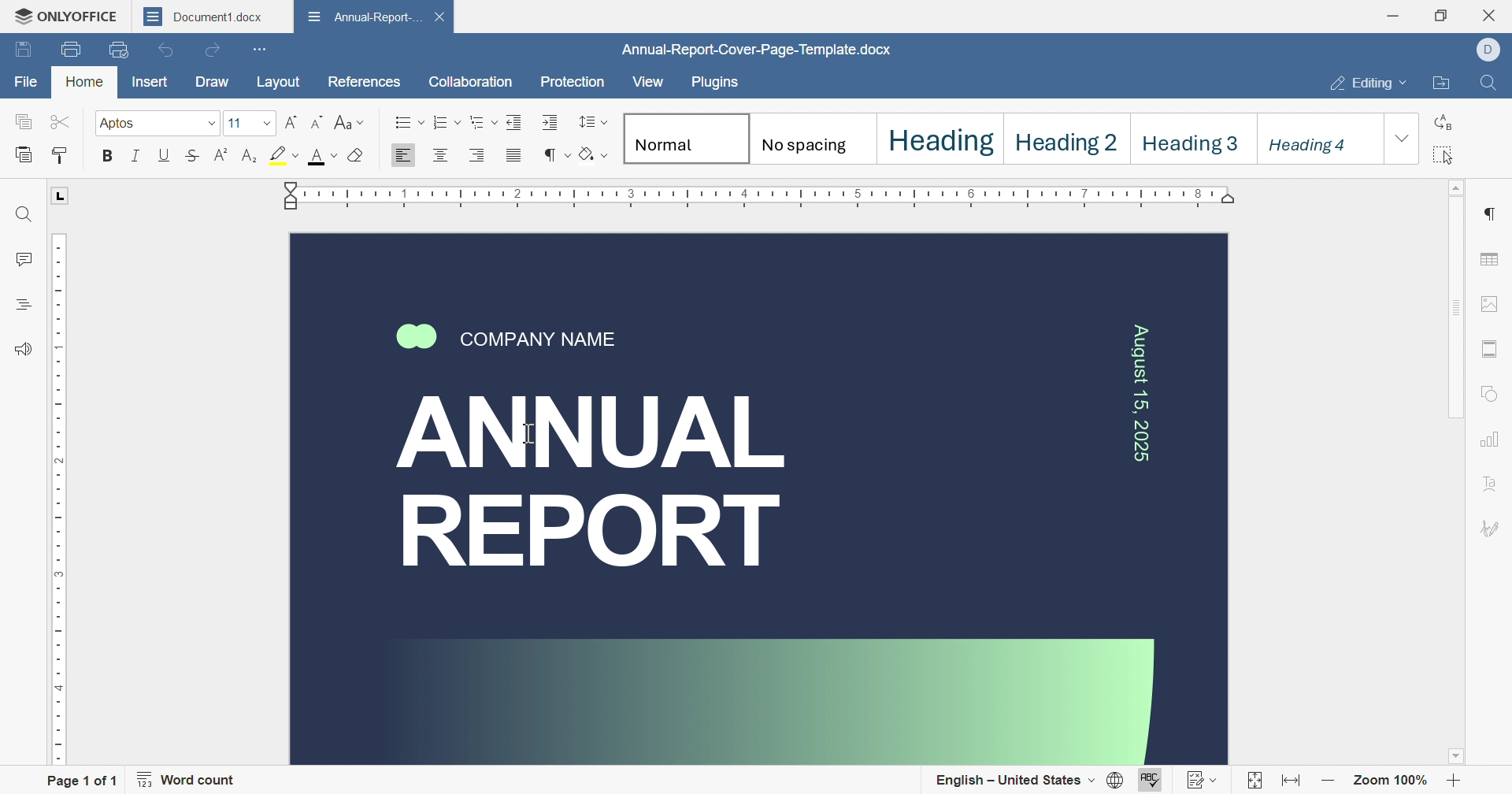 The height and width of the screenshot is (794, 1512). Describe the element at coordinates (319, 123) in the screenshot. I see `decrement font size` at that location.